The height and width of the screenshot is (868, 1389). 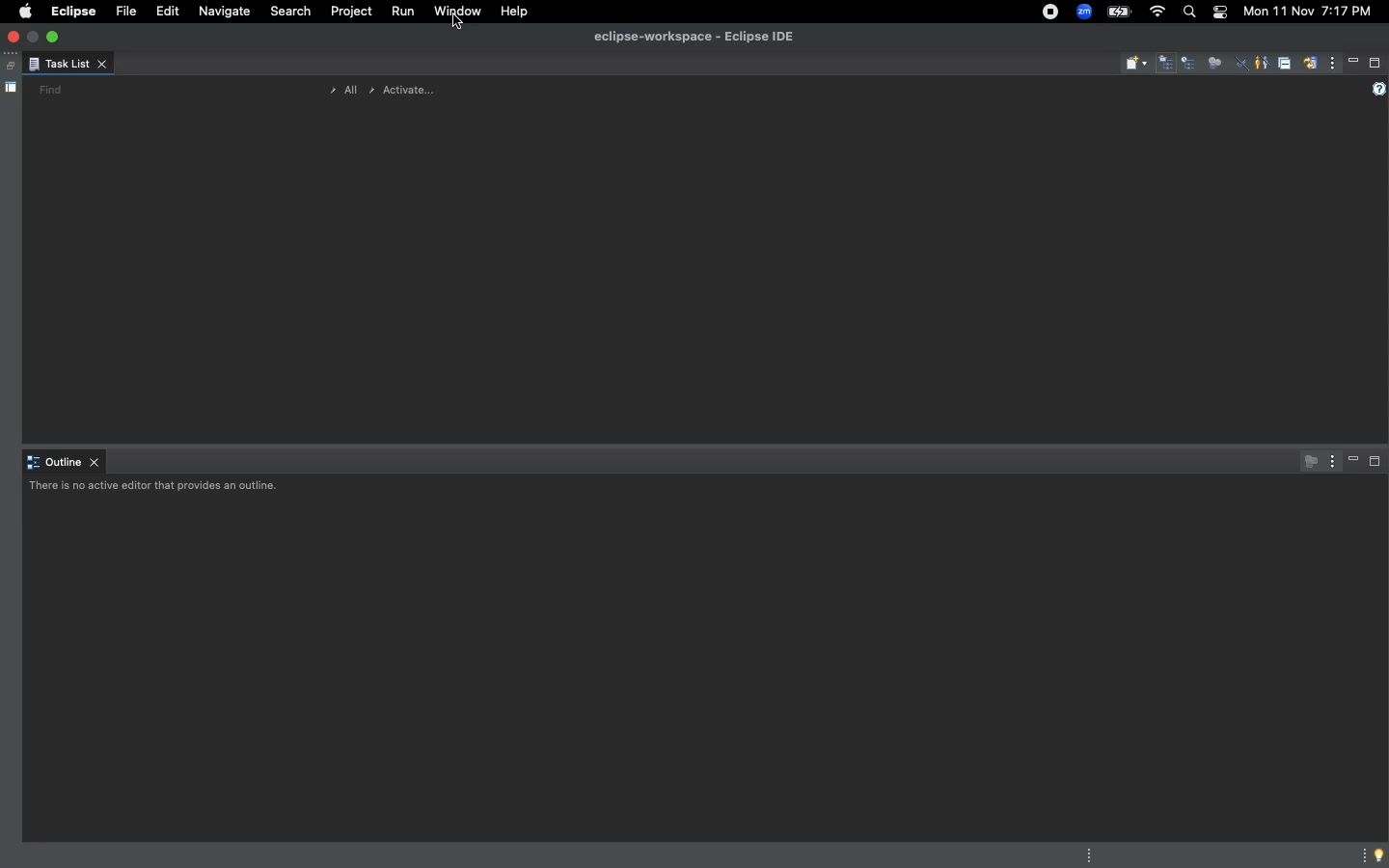 What do you see at coordinates (1214, 61) in the screenshot?
I see `Focus on workweek` at bounding box center [1214, 61].